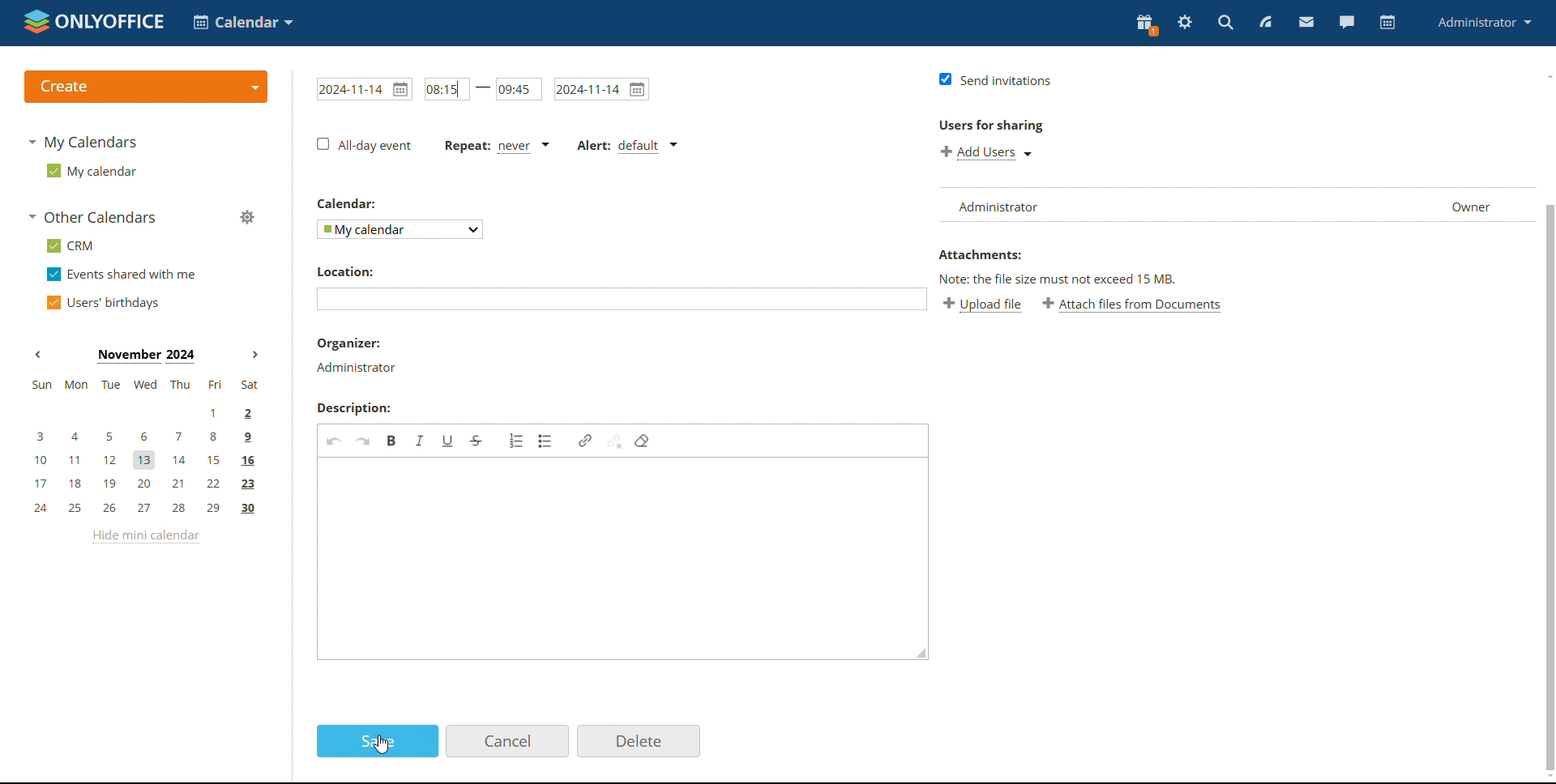  I want to click on Underline, so click(449, 441).